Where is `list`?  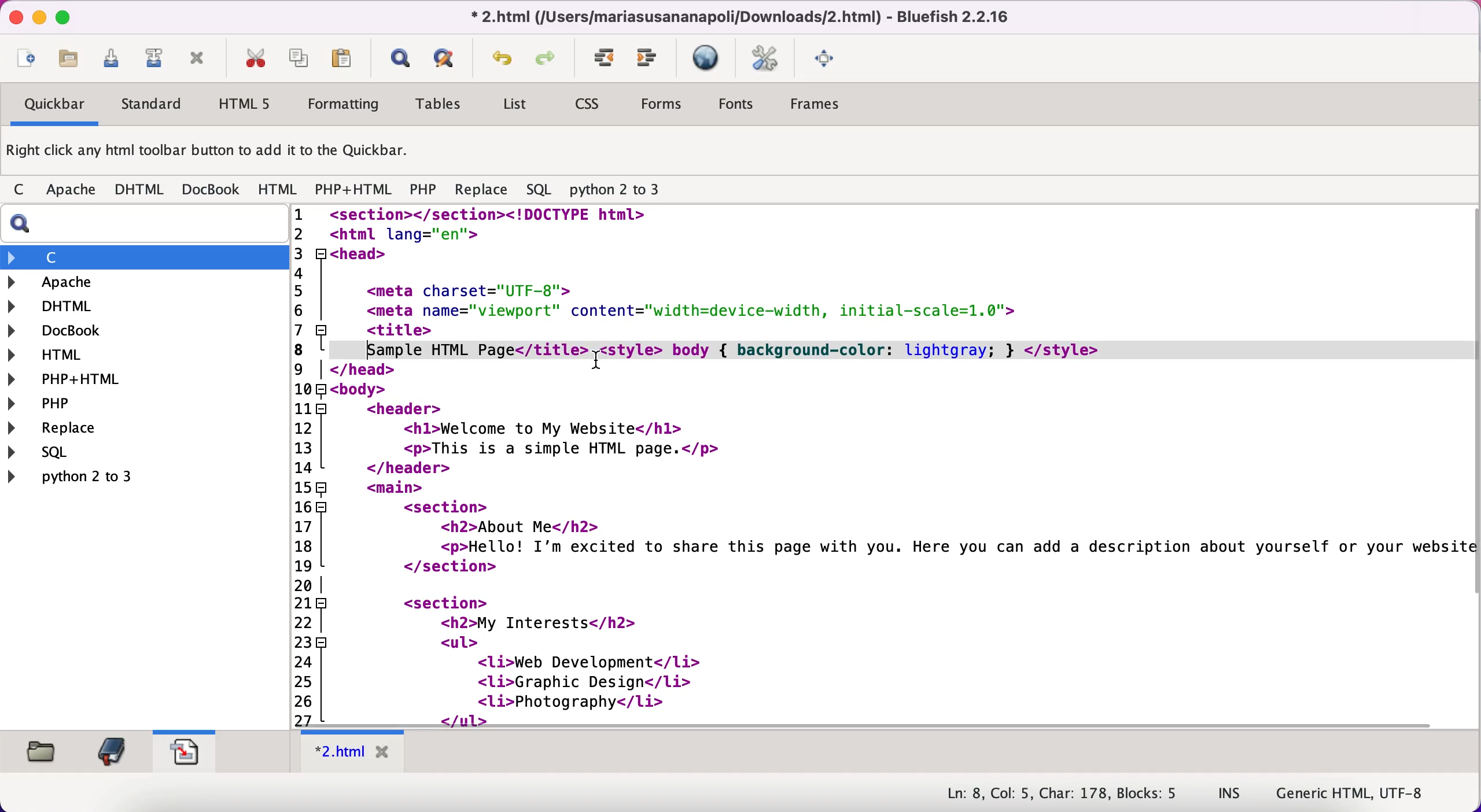
list is located at coordinates (514, 106).